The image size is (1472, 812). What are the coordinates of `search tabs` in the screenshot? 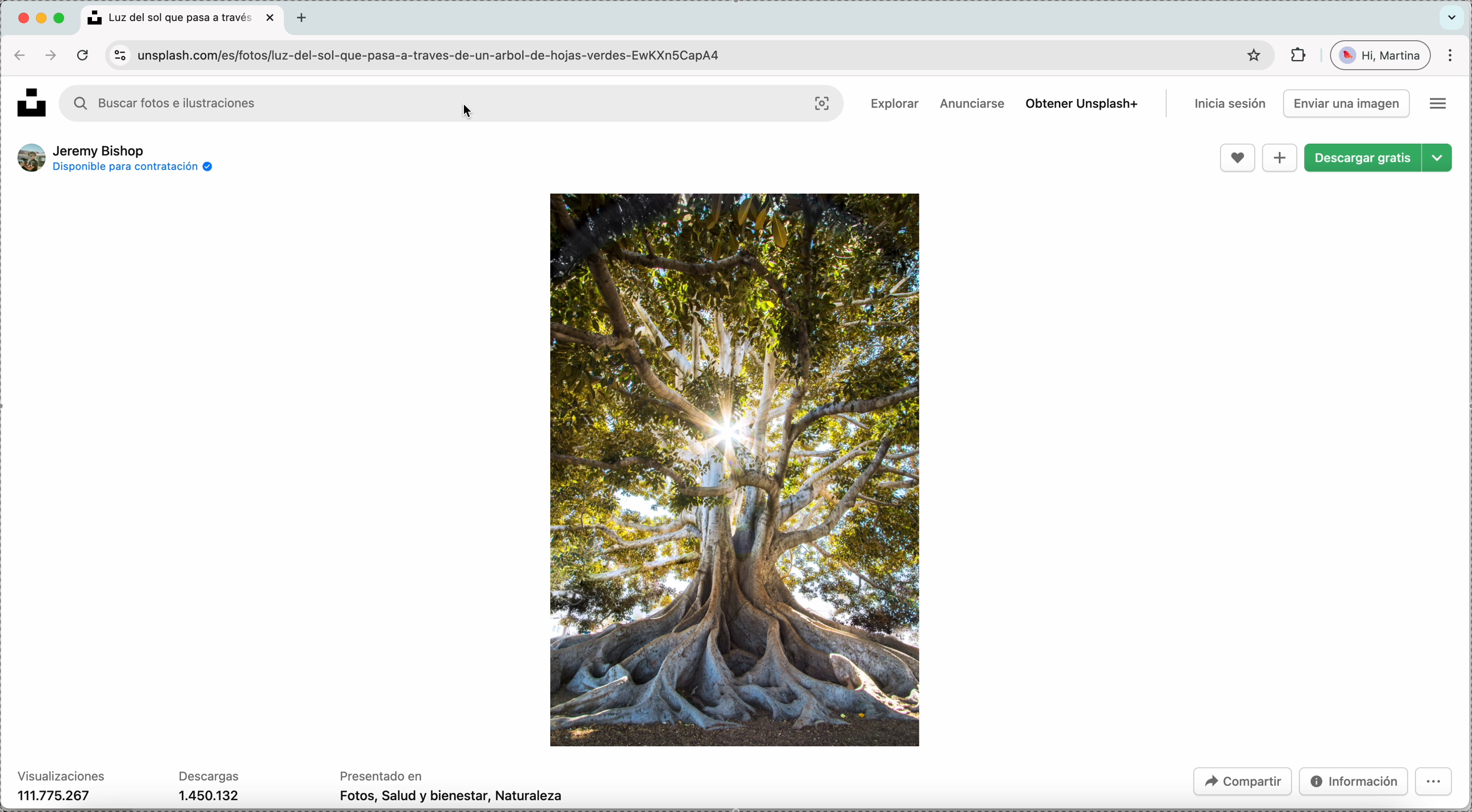 It's located at (1454, 15).